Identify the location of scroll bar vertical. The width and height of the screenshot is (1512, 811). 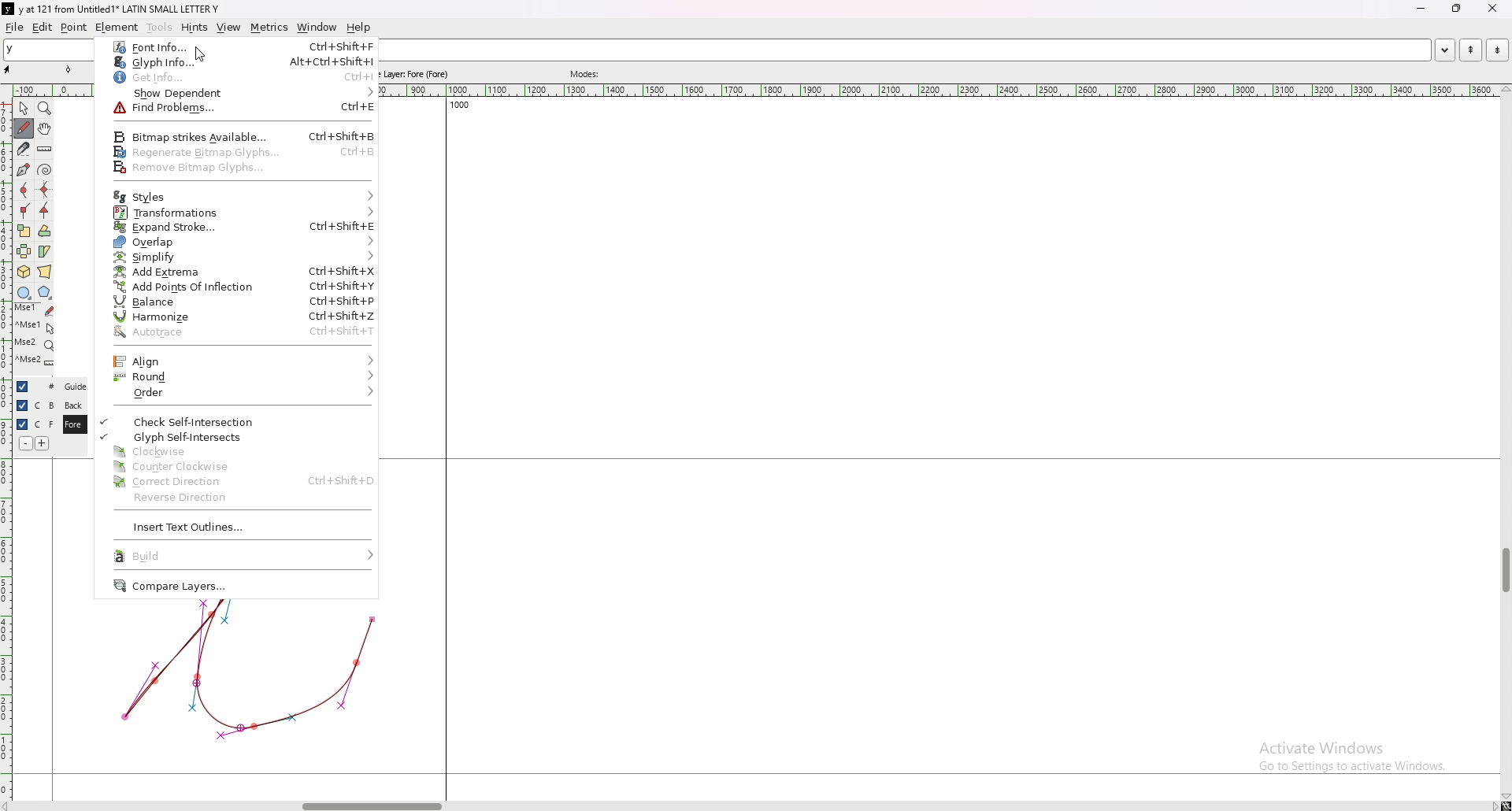
(1505, 571).